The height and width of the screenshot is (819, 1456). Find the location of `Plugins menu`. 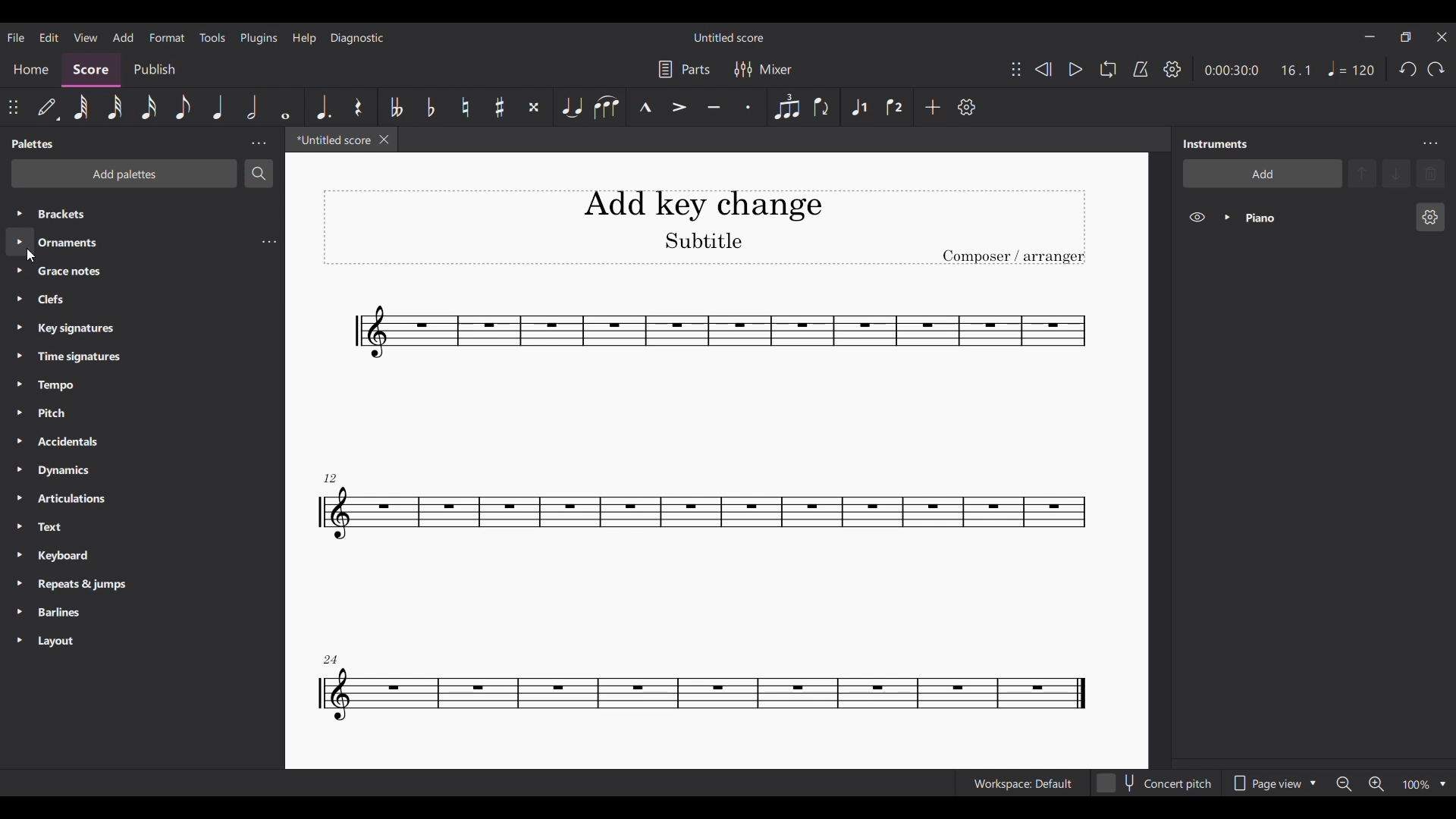

Plugins menu is located at coordinates (259, 37).